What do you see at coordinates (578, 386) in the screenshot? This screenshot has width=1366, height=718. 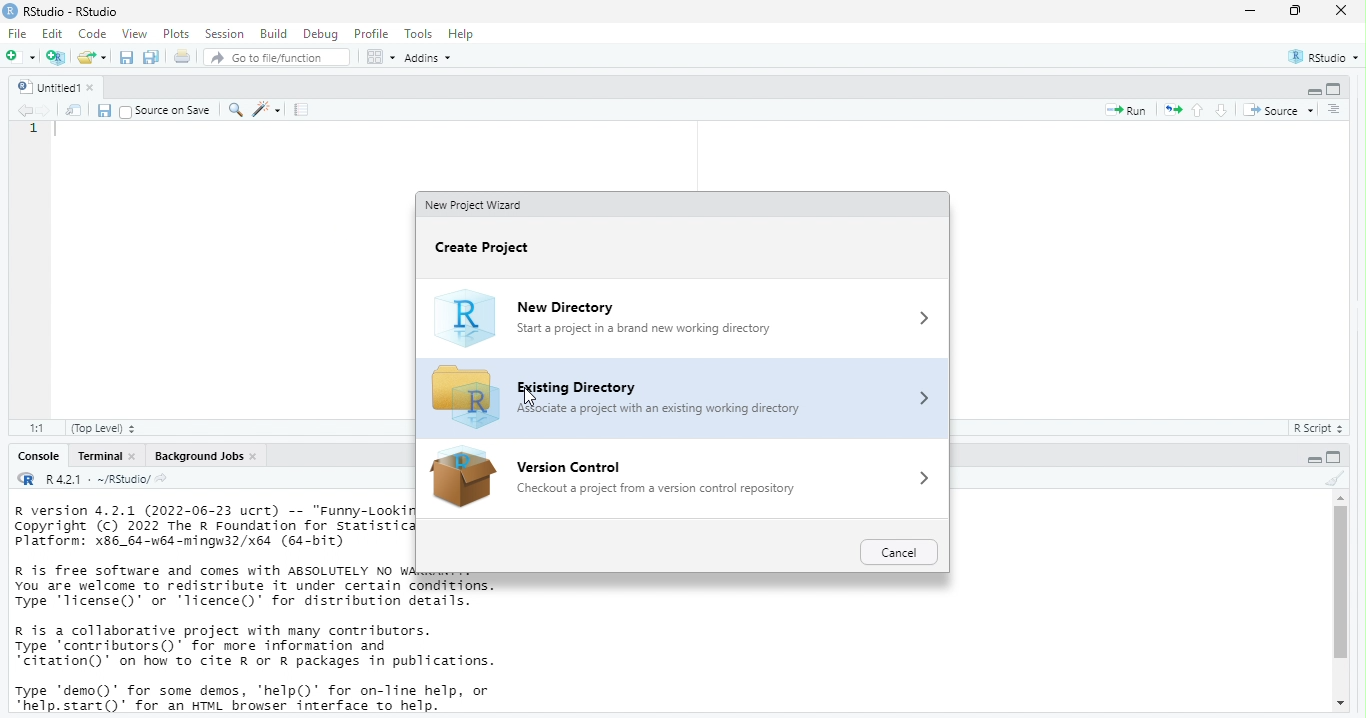 I see `Existing directory` at bounding box center [578, 386].